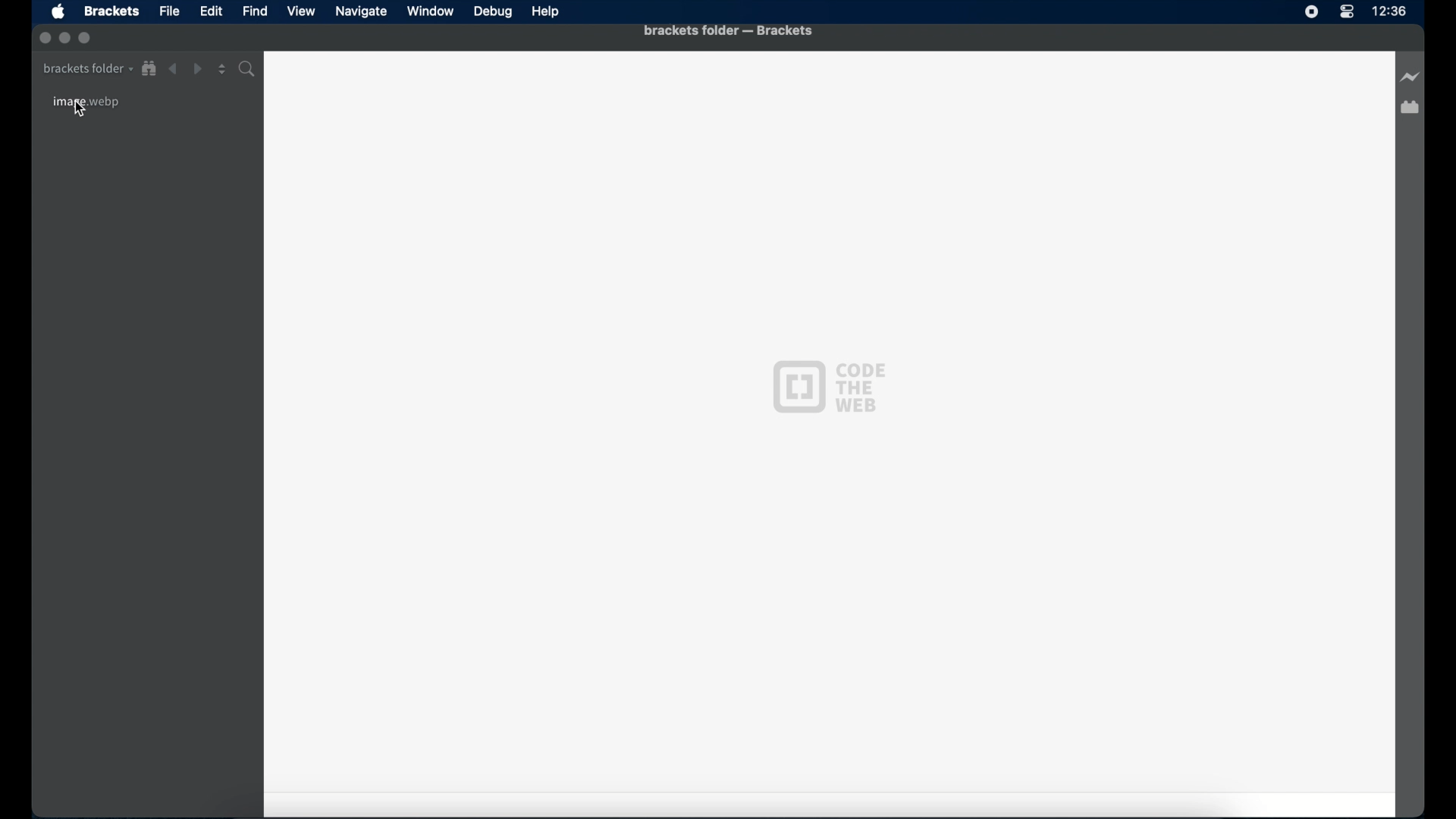 Image resolution: width=1456 pixels, height=819 pixels. I want to click on apple icon, so click(58, 13).